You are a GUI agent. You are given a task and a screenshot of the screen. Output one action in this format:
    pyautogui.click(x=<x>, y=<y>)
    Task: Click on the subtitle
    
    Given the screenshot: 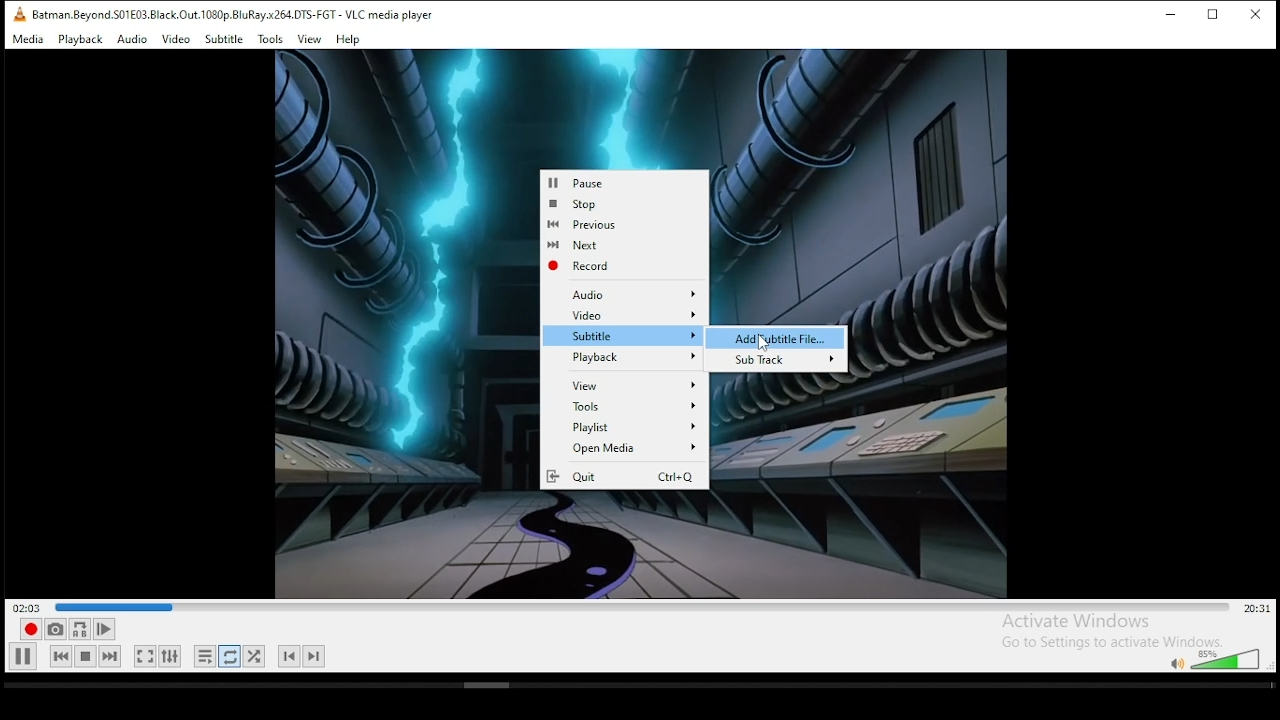 What is the action you would take?
    pyautogui.click(x=224, y=39)
    